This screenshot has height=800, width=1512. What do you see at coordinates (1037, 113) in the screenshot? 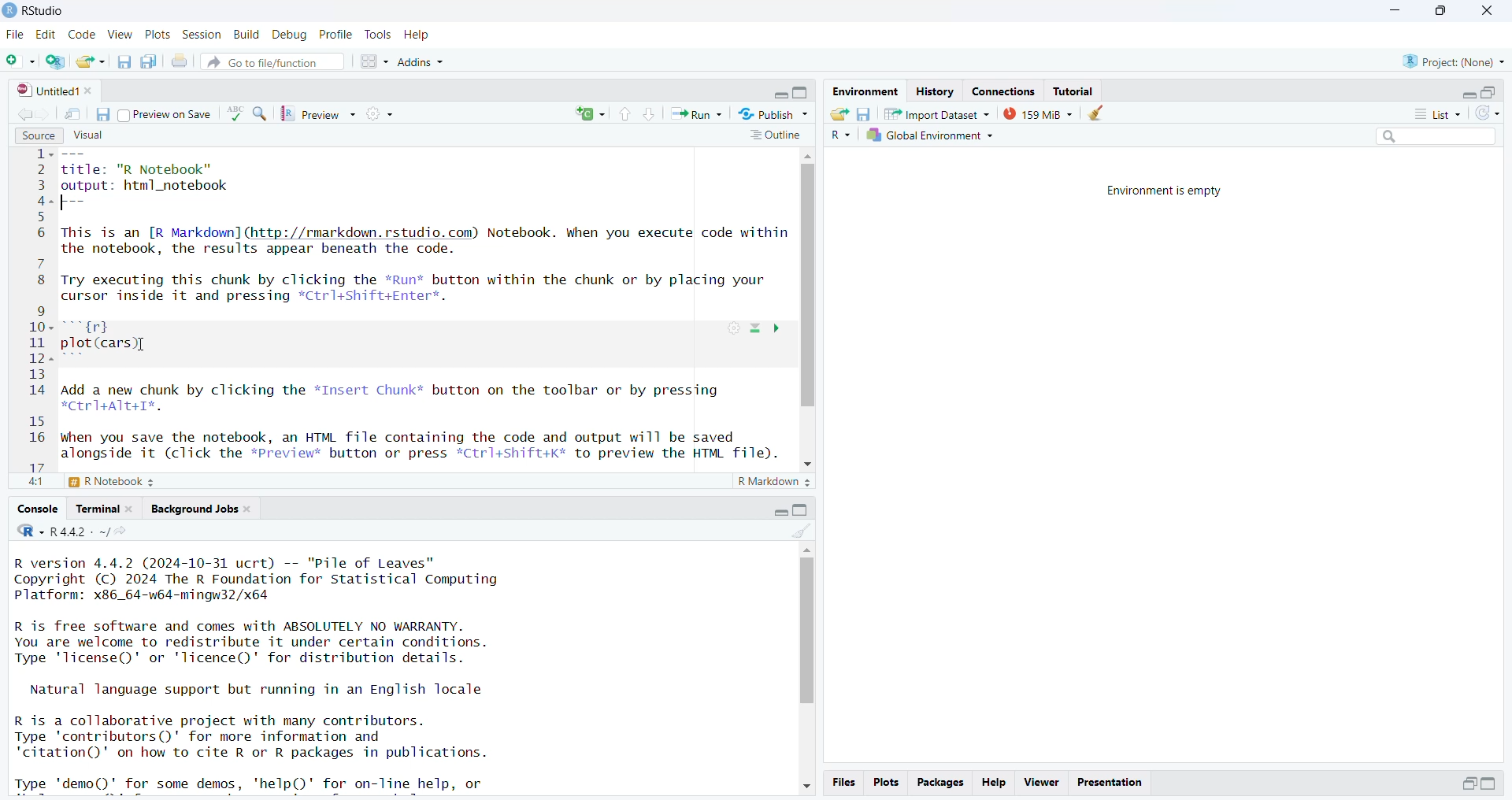
I see `159 MB` at bounding box center [1037, 113].